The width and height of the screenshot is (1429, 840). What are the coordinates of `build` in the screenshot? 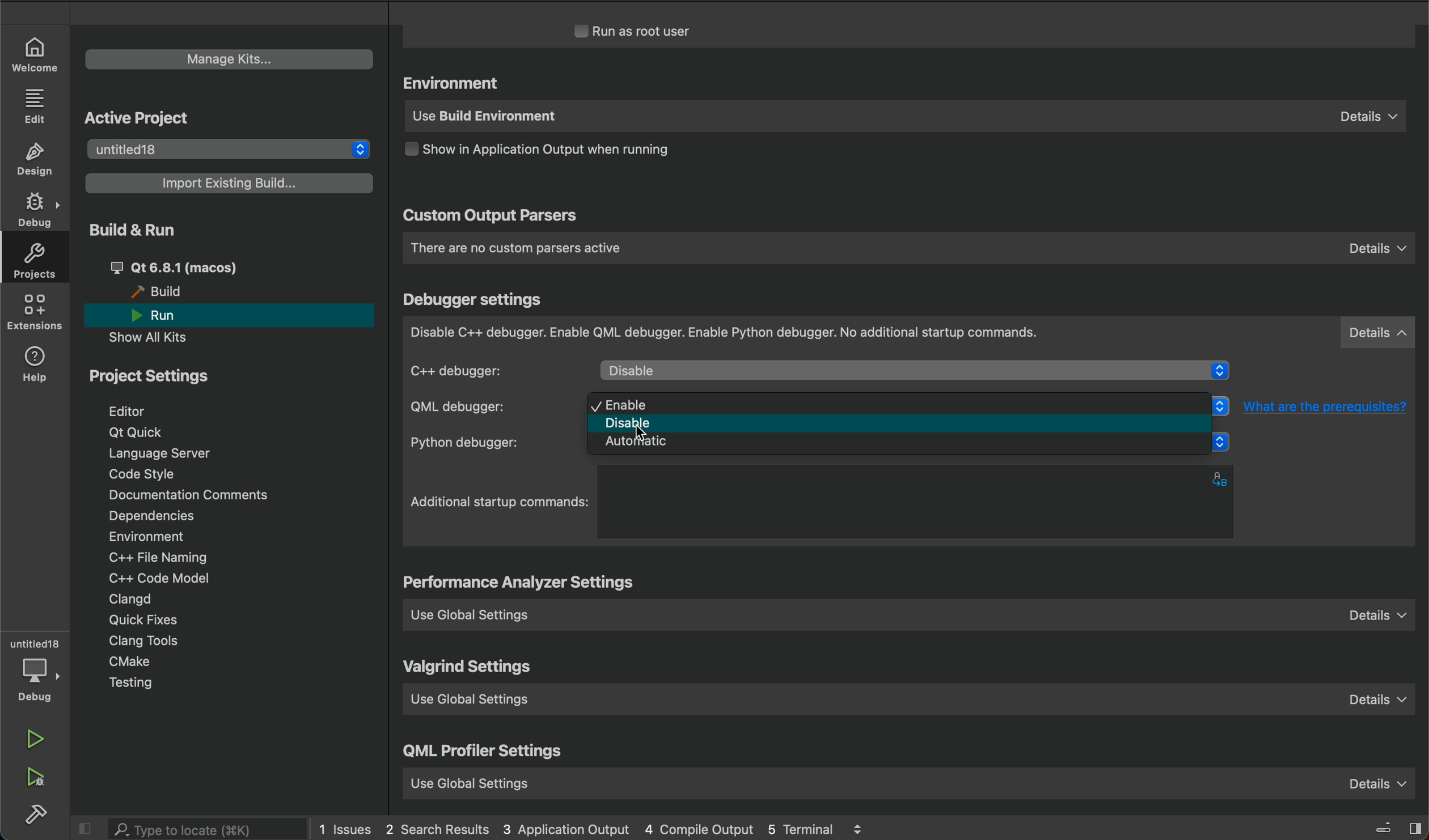 It's located at (38, 814).